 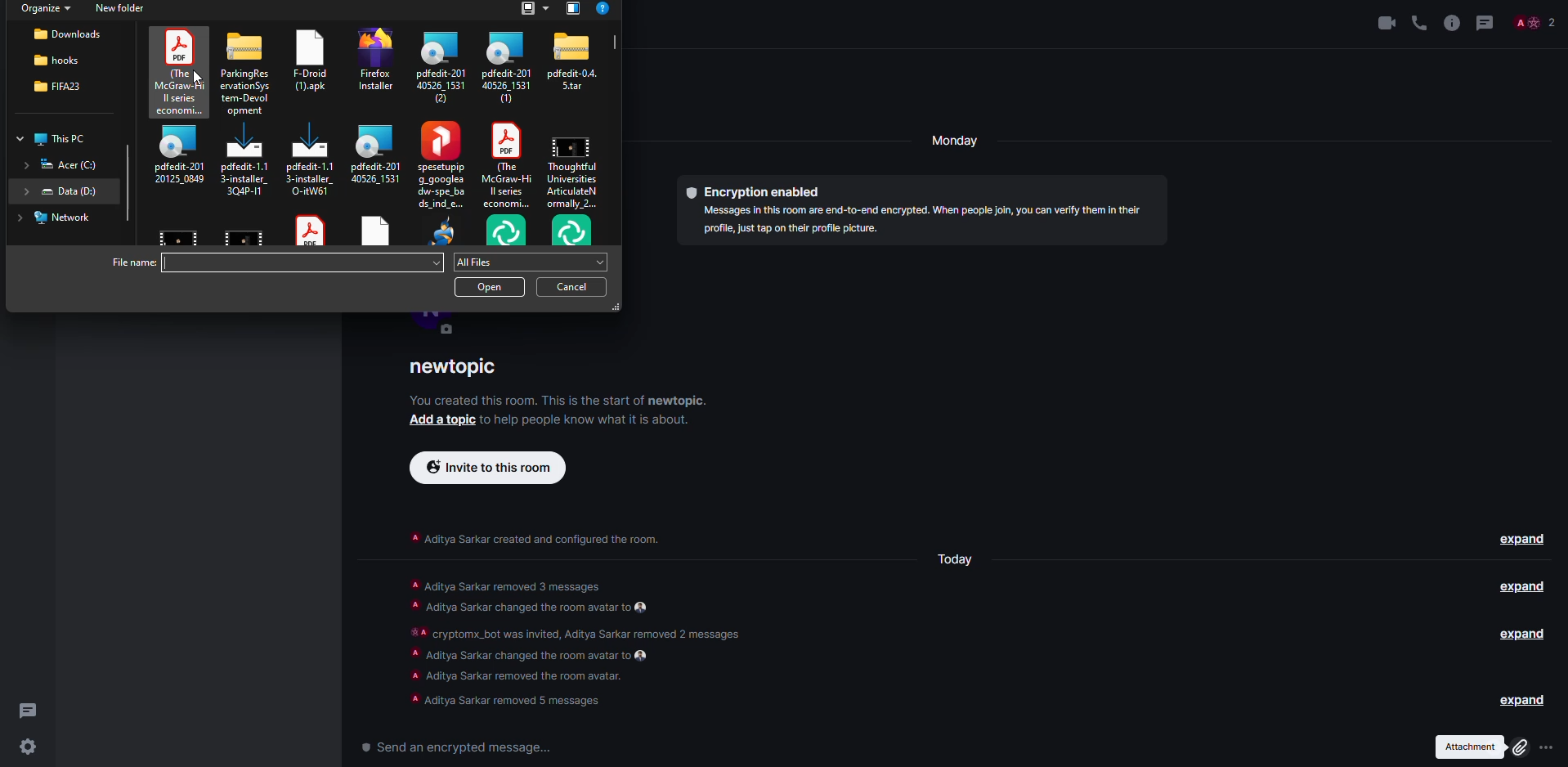 I want to click on file, so click(x=314, y=159).